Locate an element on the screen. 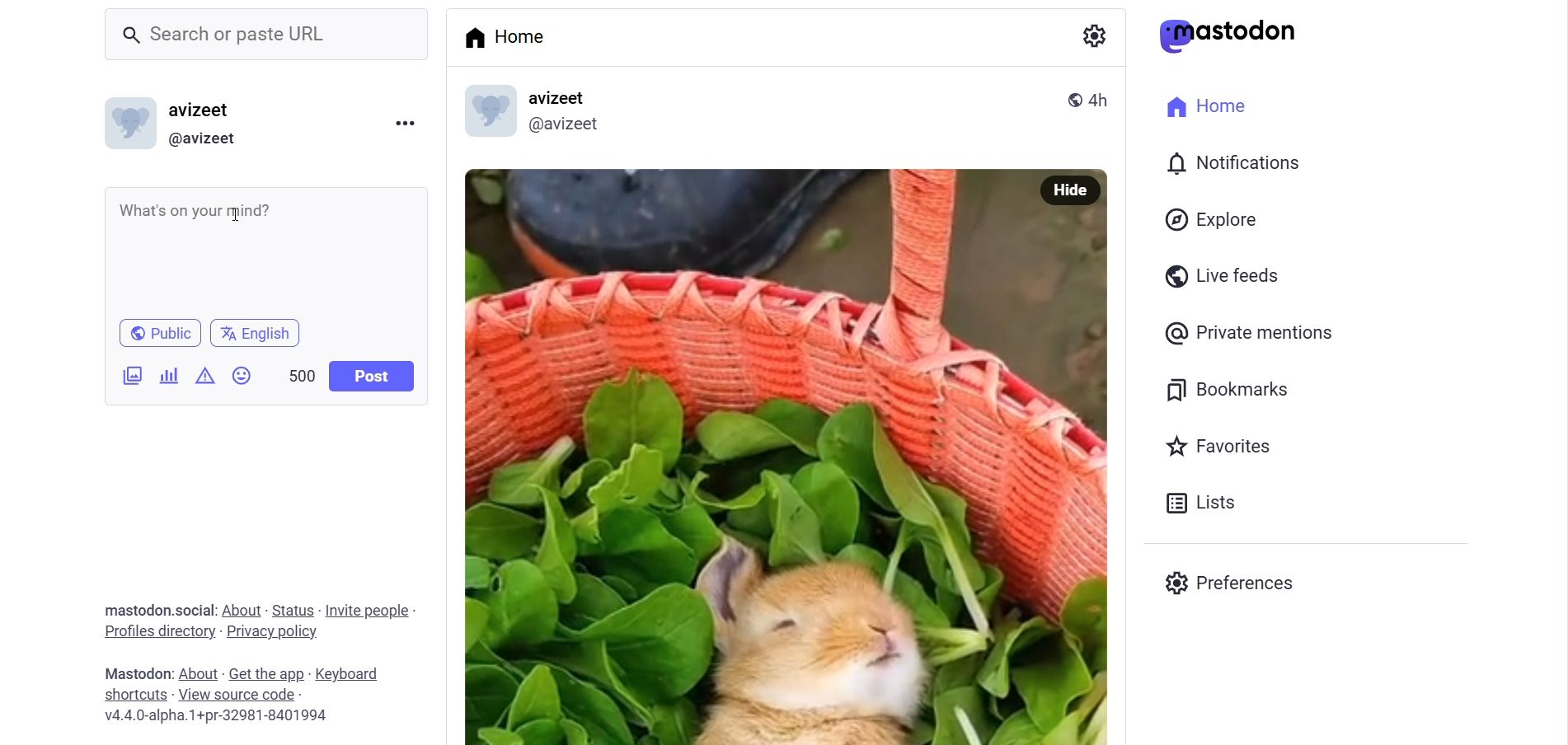 Image resolution: width=1568 pixels, height=745 pixels. cursor is located at coordinates (237, 213).